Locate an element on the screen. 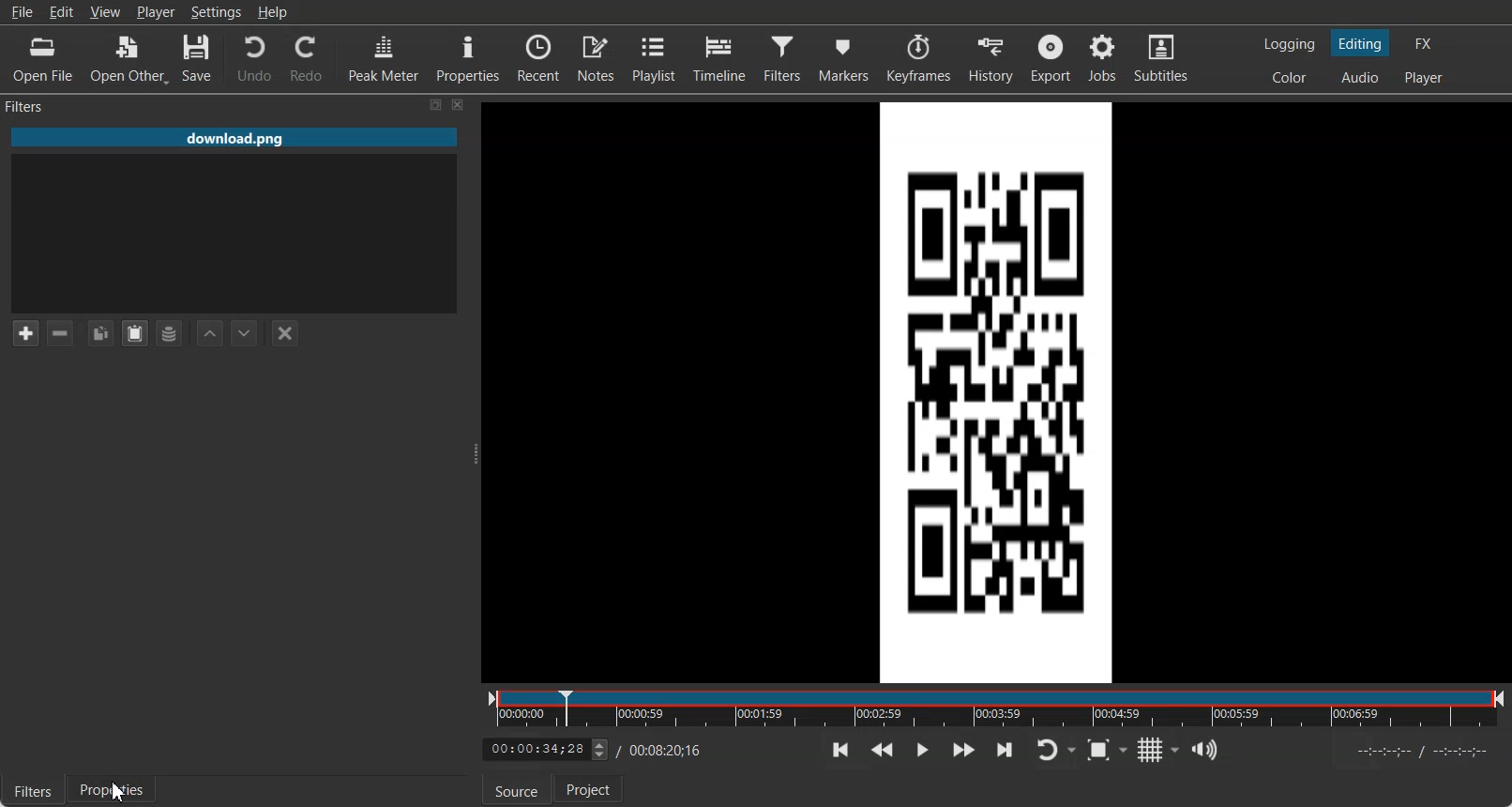 This screenshot has width=1512, height=807. Move filter down is located at coordinates (245, 332).